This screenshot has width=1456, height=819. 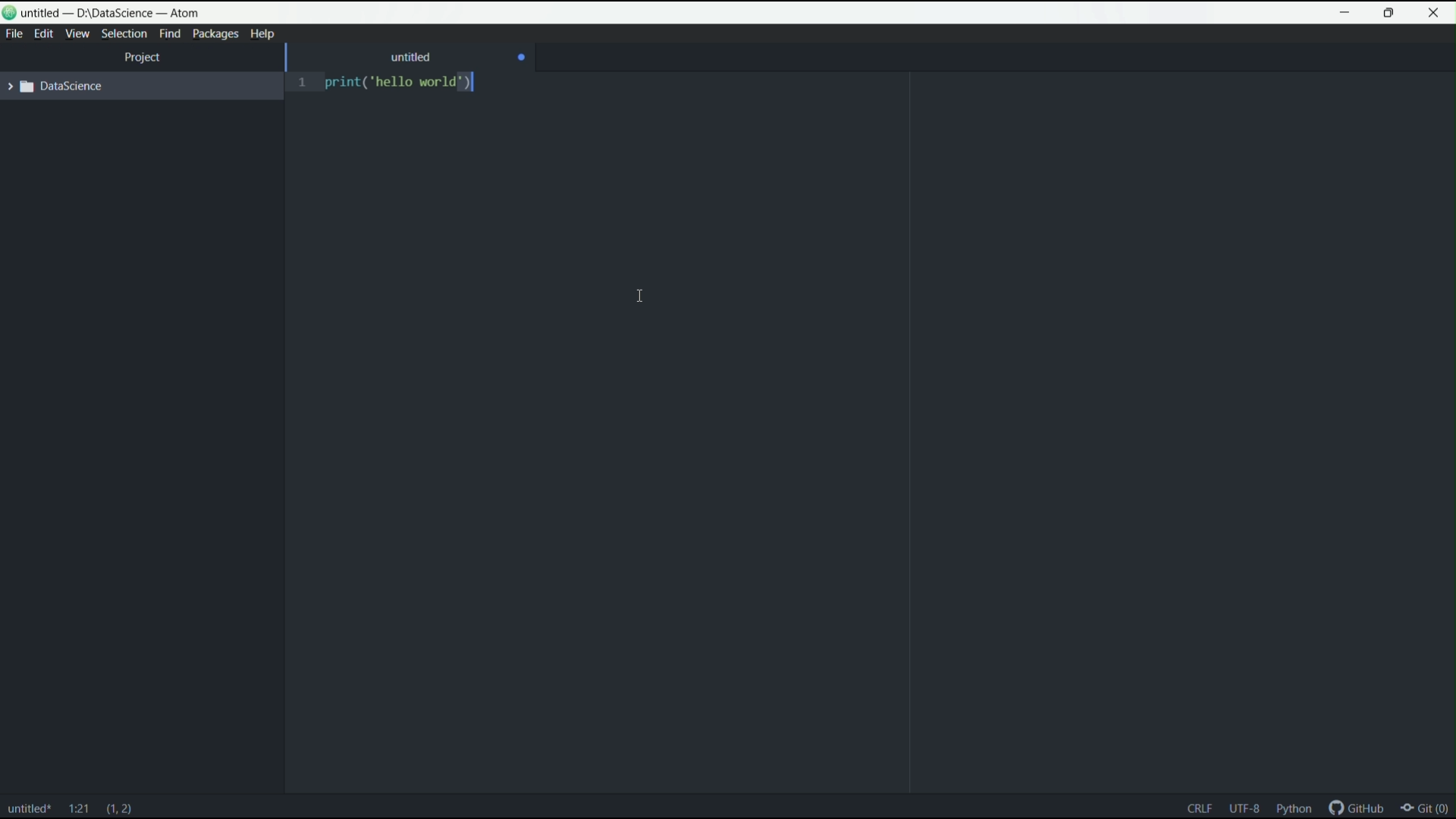 I want to click on close app, so click(x=1435, y=13).